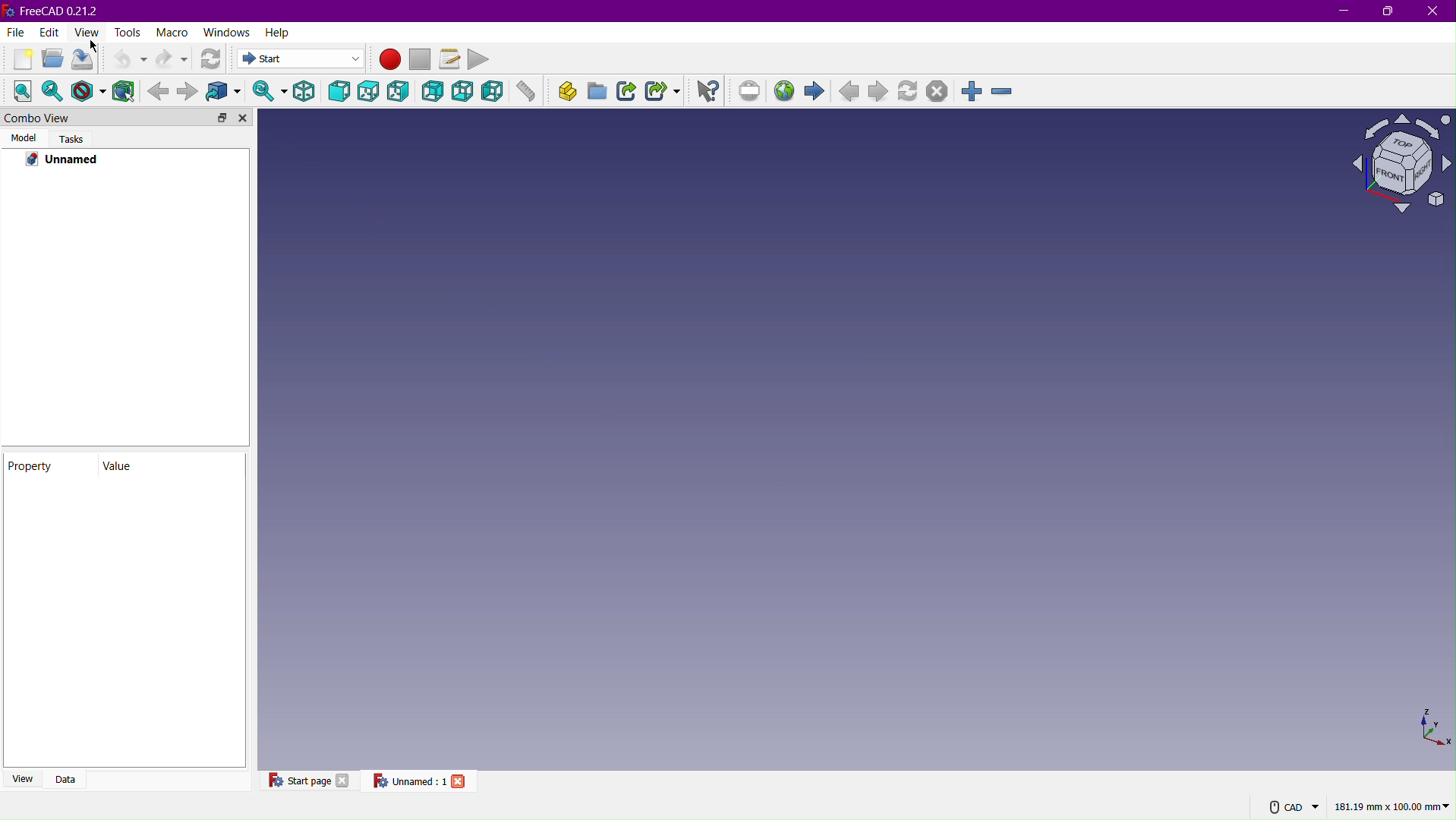  What do you see at coordinates (56, 59) in the screenshot?
I see `Open` at bounding box center [56, 59].